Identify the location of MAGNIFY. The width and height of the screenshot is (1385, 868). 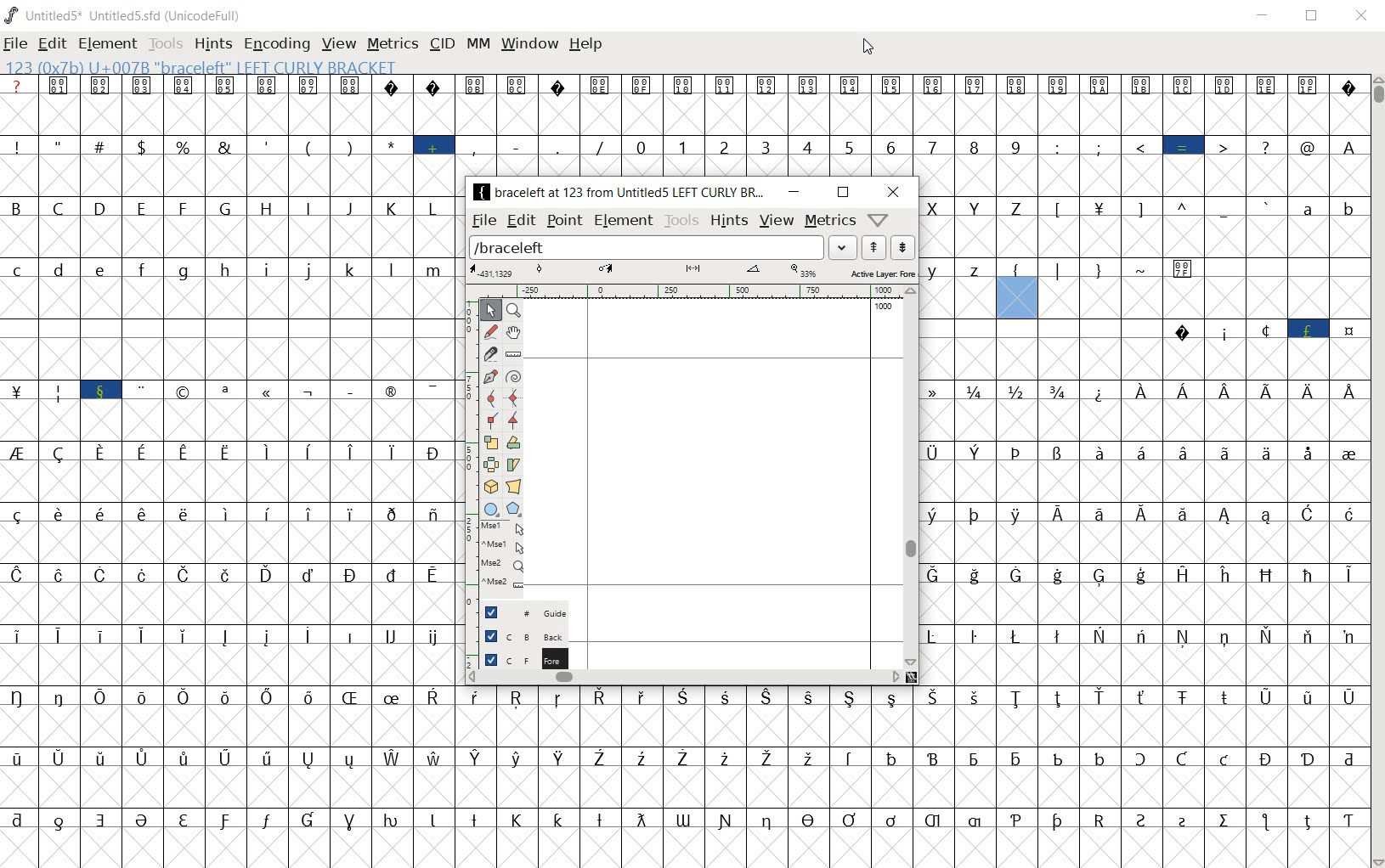
(516, 311).